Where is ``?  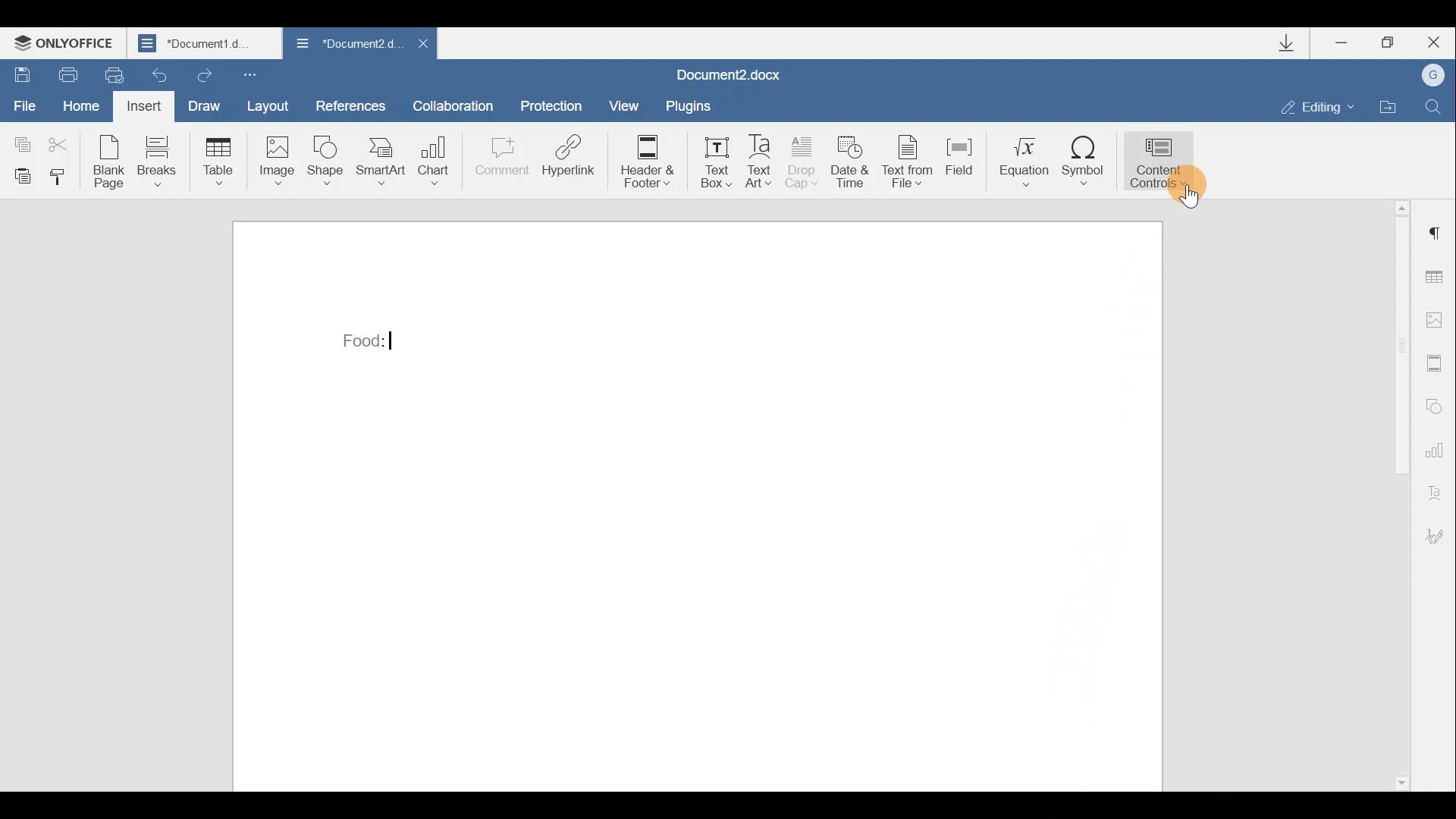
 is located at coordinates (1192, 199).